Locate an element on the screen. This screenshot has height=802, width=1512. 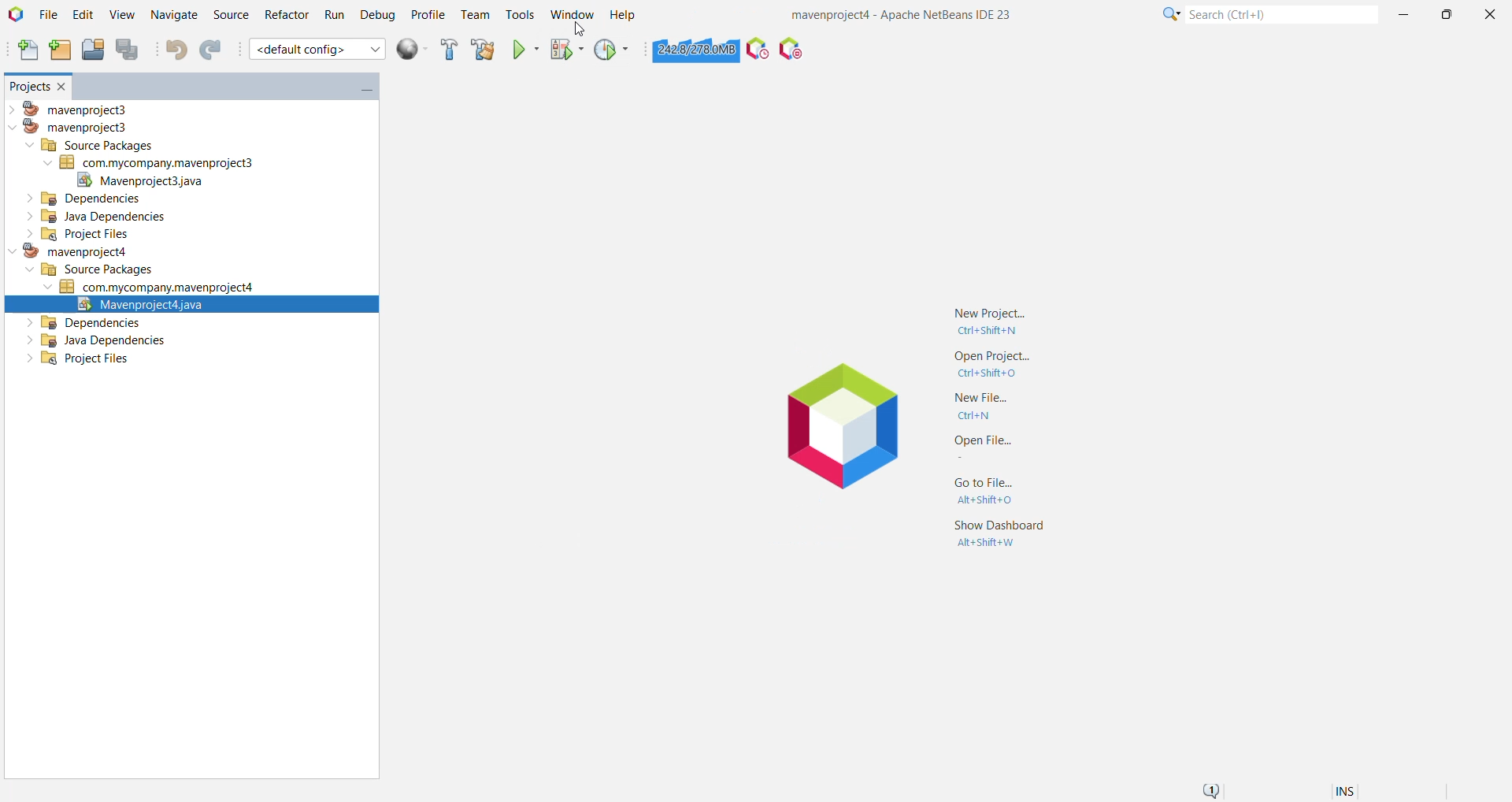
Refactor is located at coordinates (284, 16).